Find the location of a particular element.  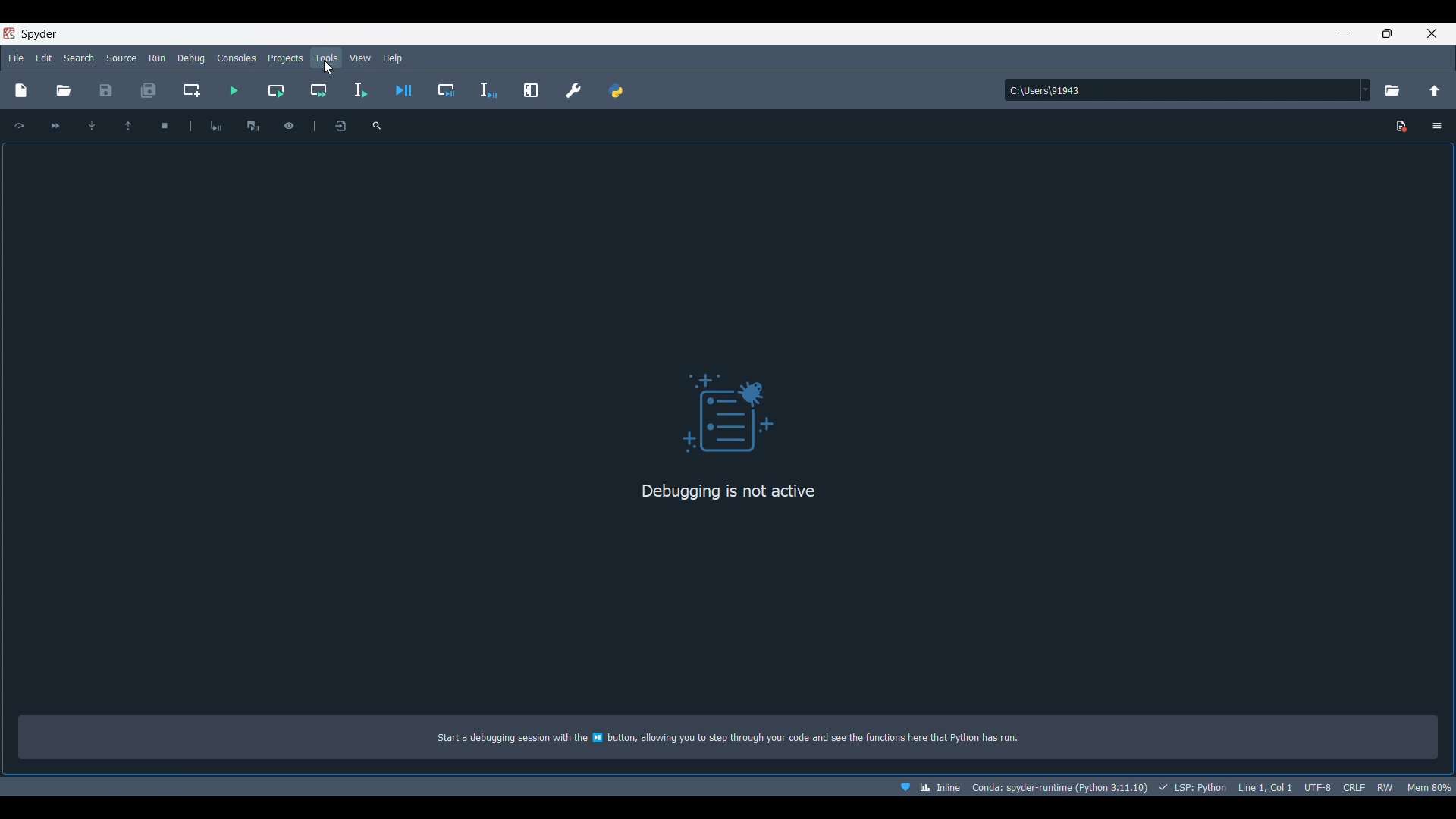

save variable is located at coordinates (340, 127).